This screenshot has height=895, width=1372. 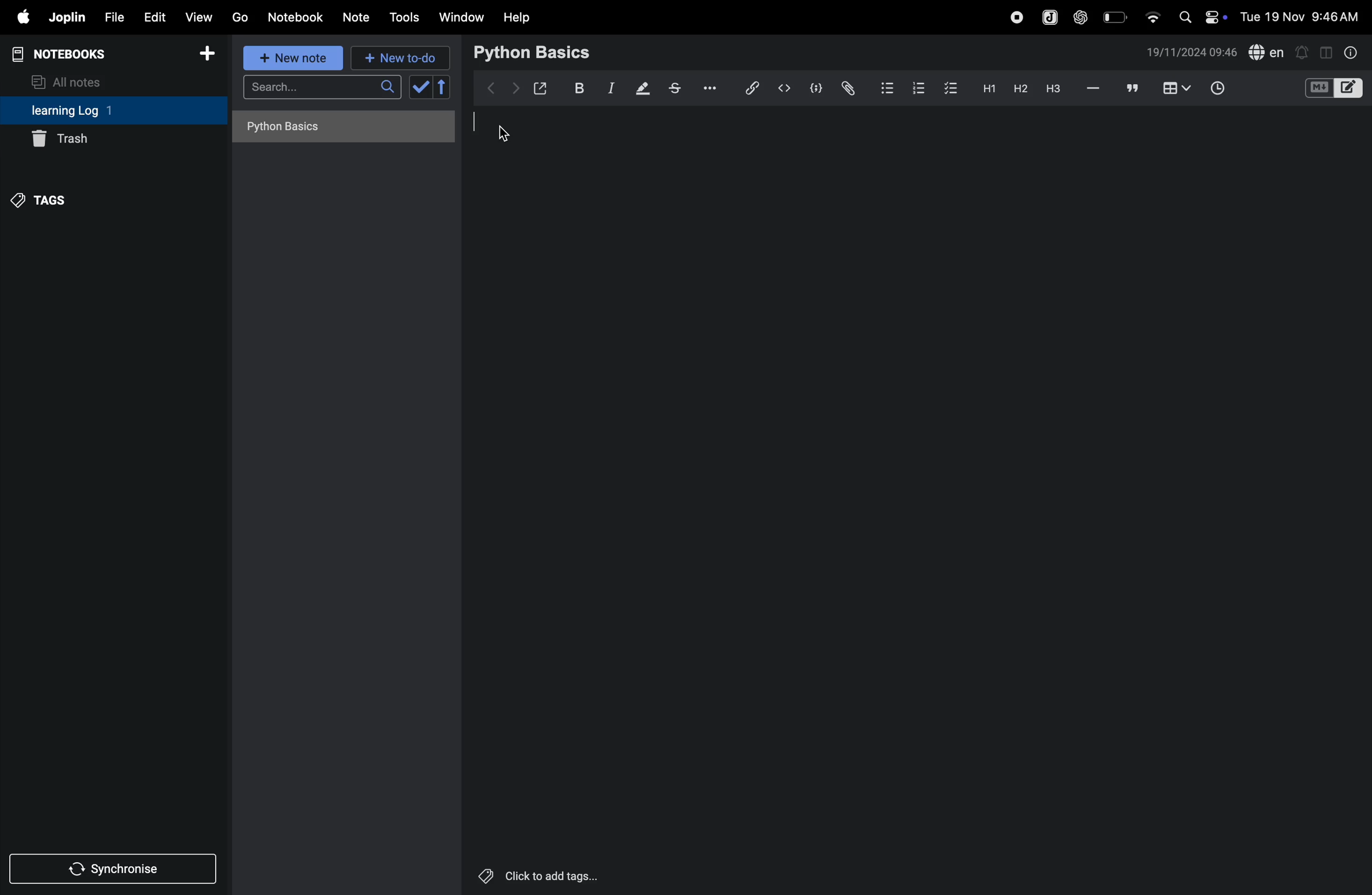 What do you see at coordinates (18, 18) in the screenshot?
I see `apple menu` at bounding box center [18, 18].